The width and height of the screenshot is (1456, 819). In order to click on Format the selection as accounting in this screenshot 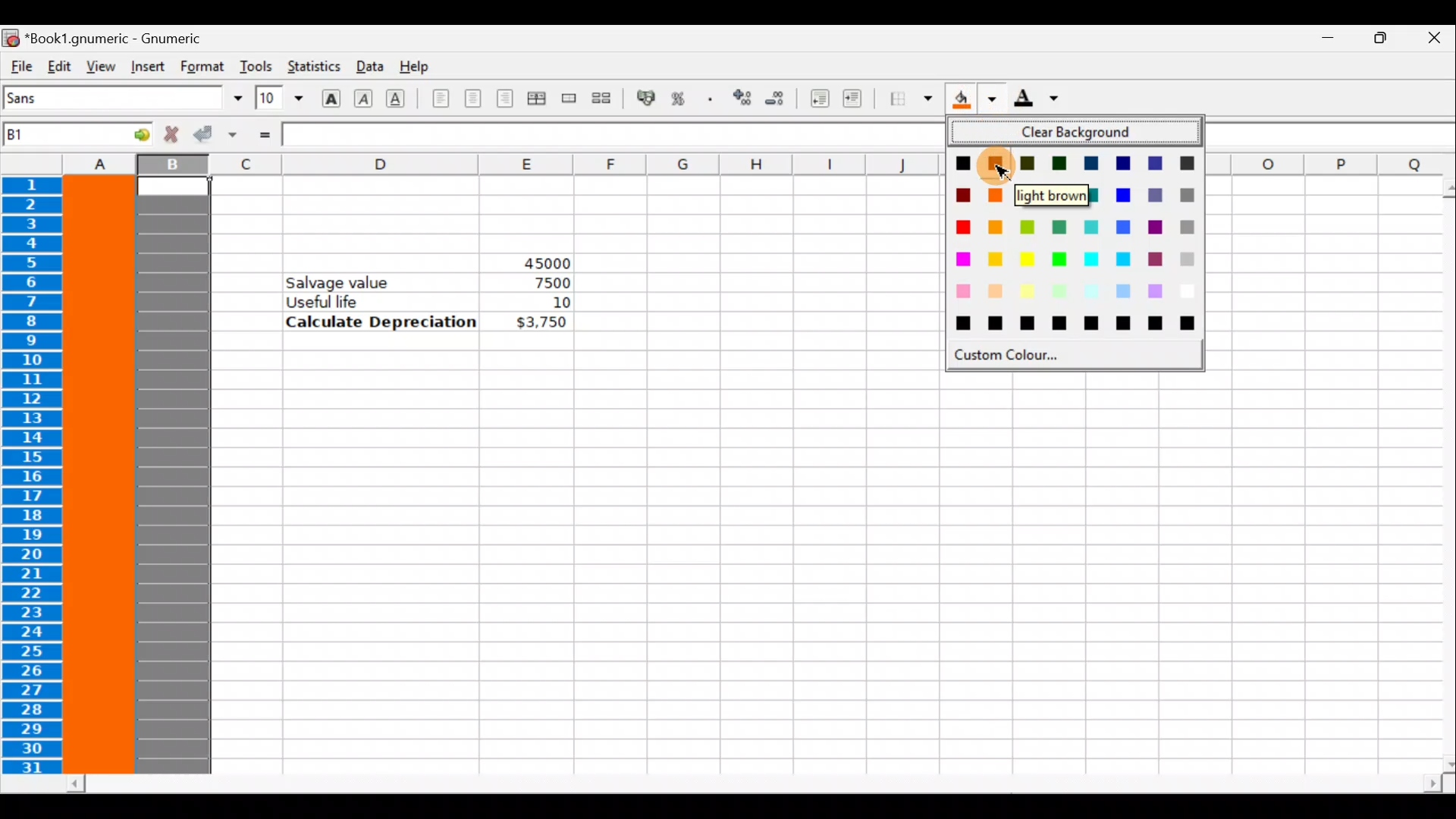, I will do `click(647, 100)`.